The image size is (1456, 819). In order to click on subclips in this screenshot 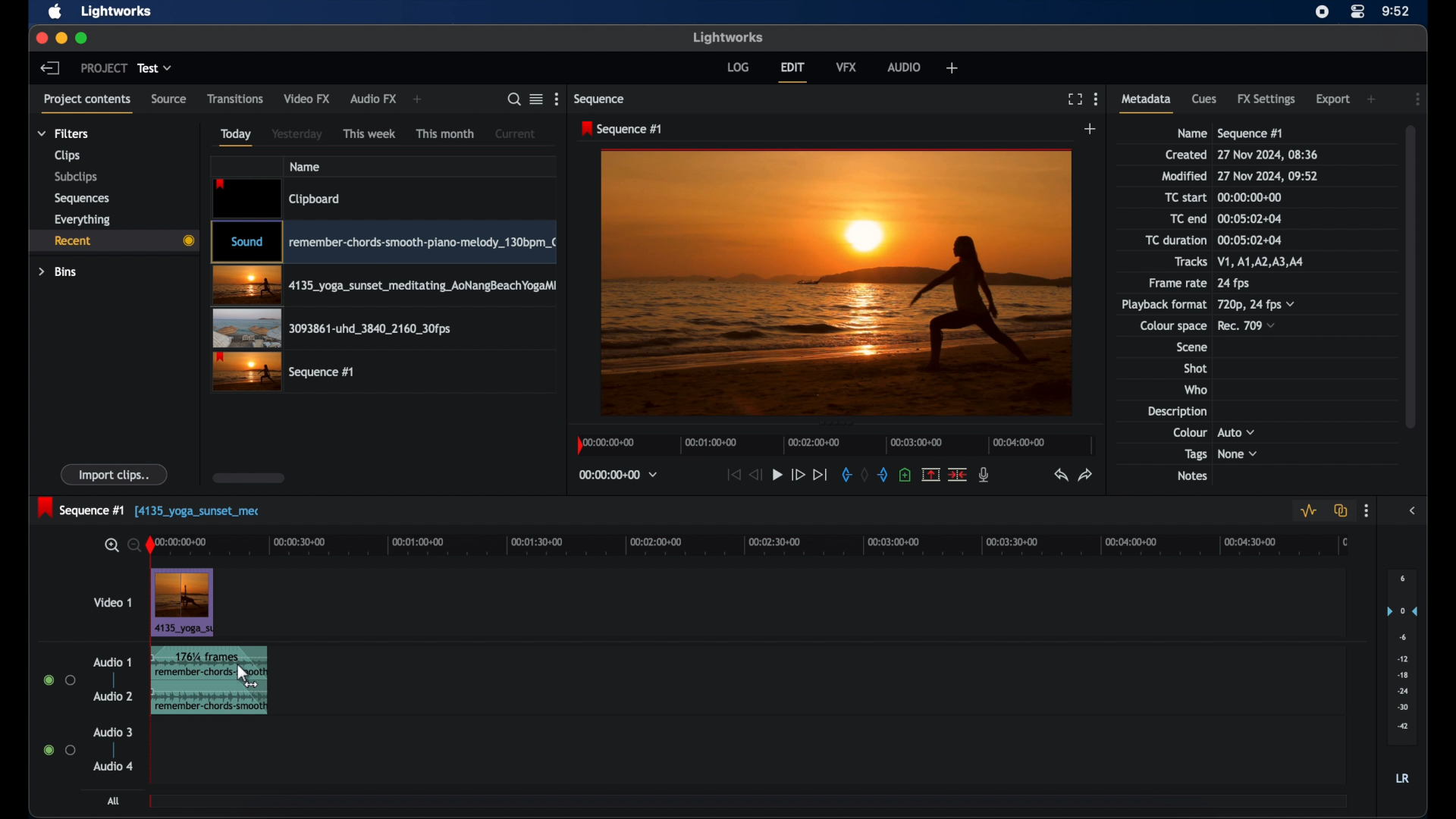, I will do `click(76, 178)`.